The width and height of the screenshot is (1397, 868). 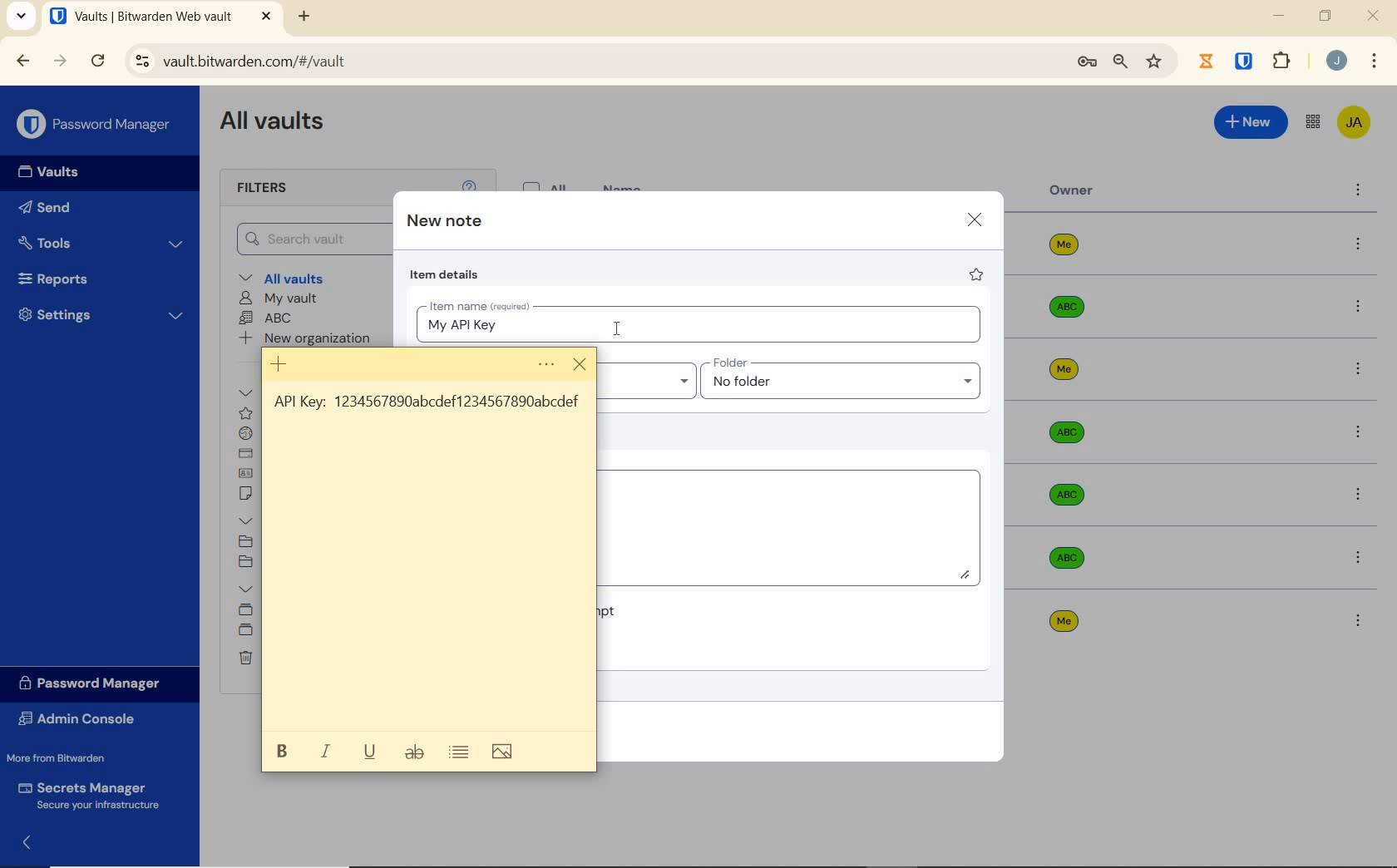 I want to click on Trash, so click(x=244, y=659).